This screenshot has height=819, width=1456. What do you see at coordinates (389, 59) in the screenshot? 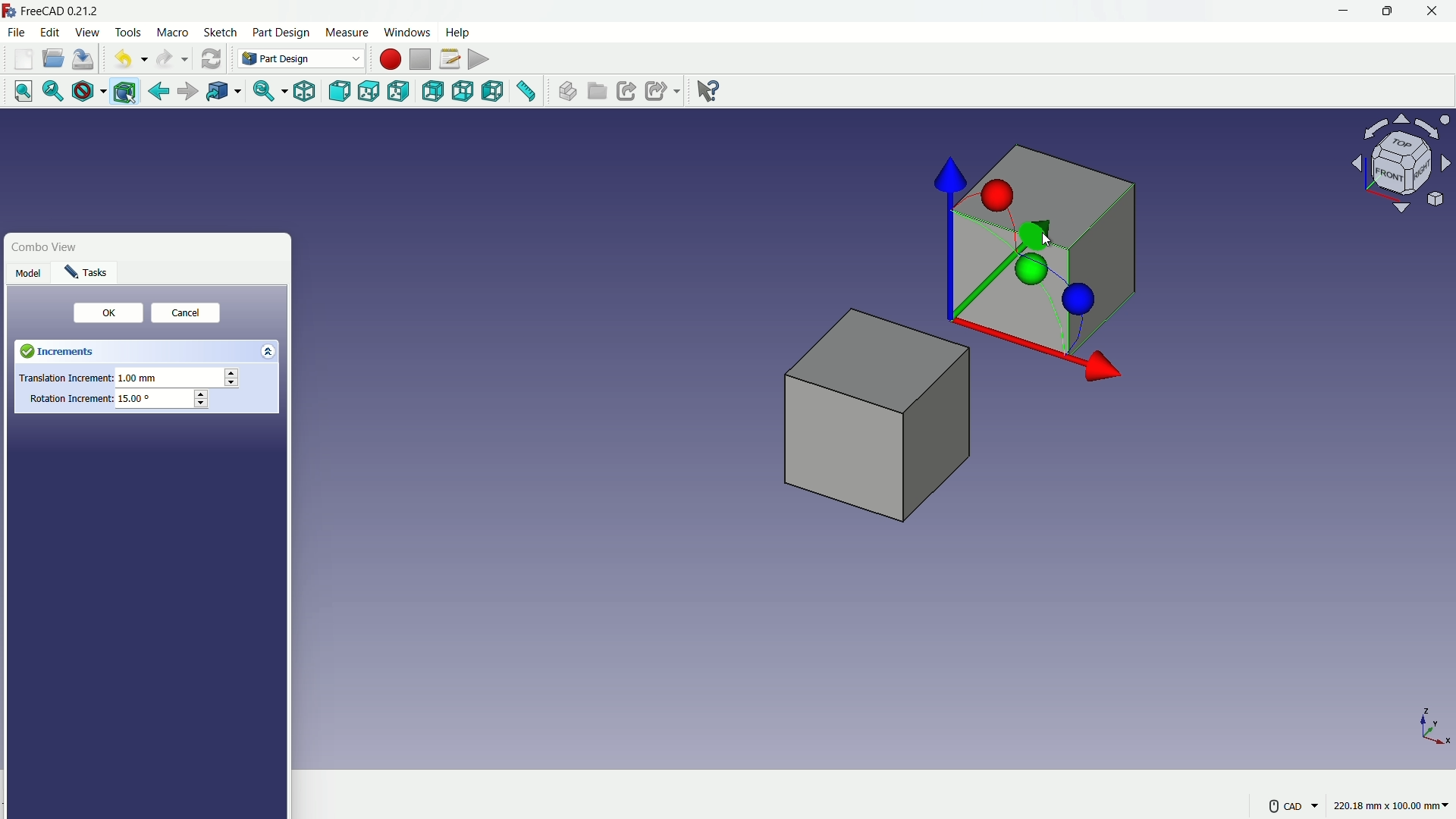
I see `start macros` at bounding box center [389, 59].